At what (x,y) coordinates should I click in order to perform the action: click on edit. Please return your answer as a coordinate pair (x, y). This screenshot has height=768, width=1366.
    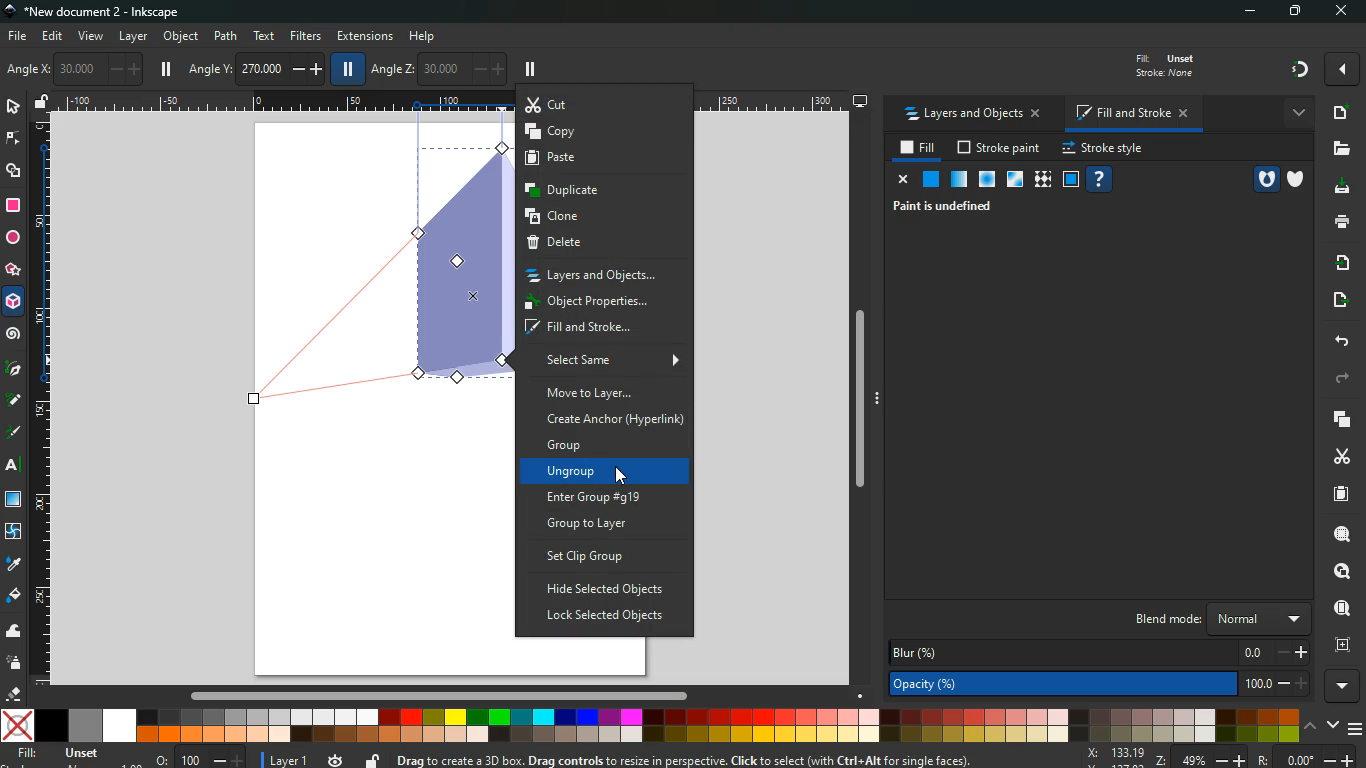
    Looking at the image, I should click on (54, 36).